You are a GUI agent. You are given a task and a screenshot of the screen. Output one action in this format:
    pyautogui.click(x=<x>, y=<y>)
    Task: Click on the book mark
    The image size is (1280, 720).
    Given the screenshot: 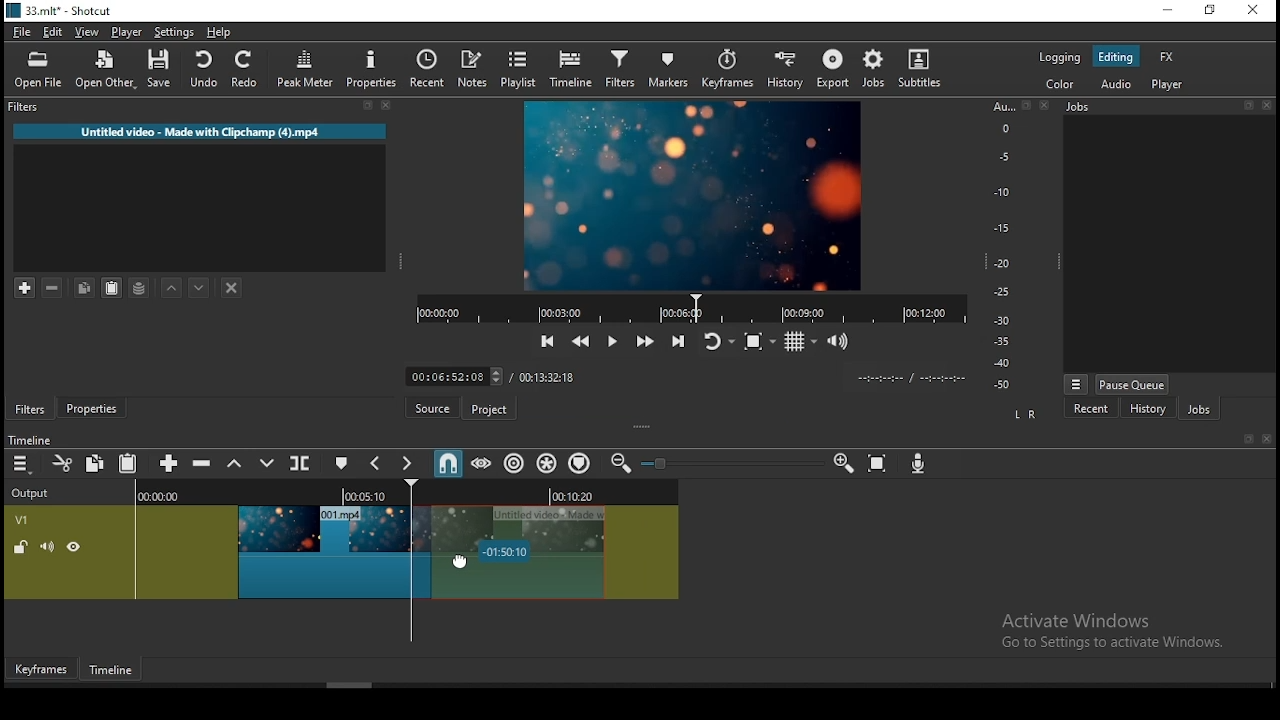 What is the action you would take?
    pyautogui.click(x=1245, y=440)
    